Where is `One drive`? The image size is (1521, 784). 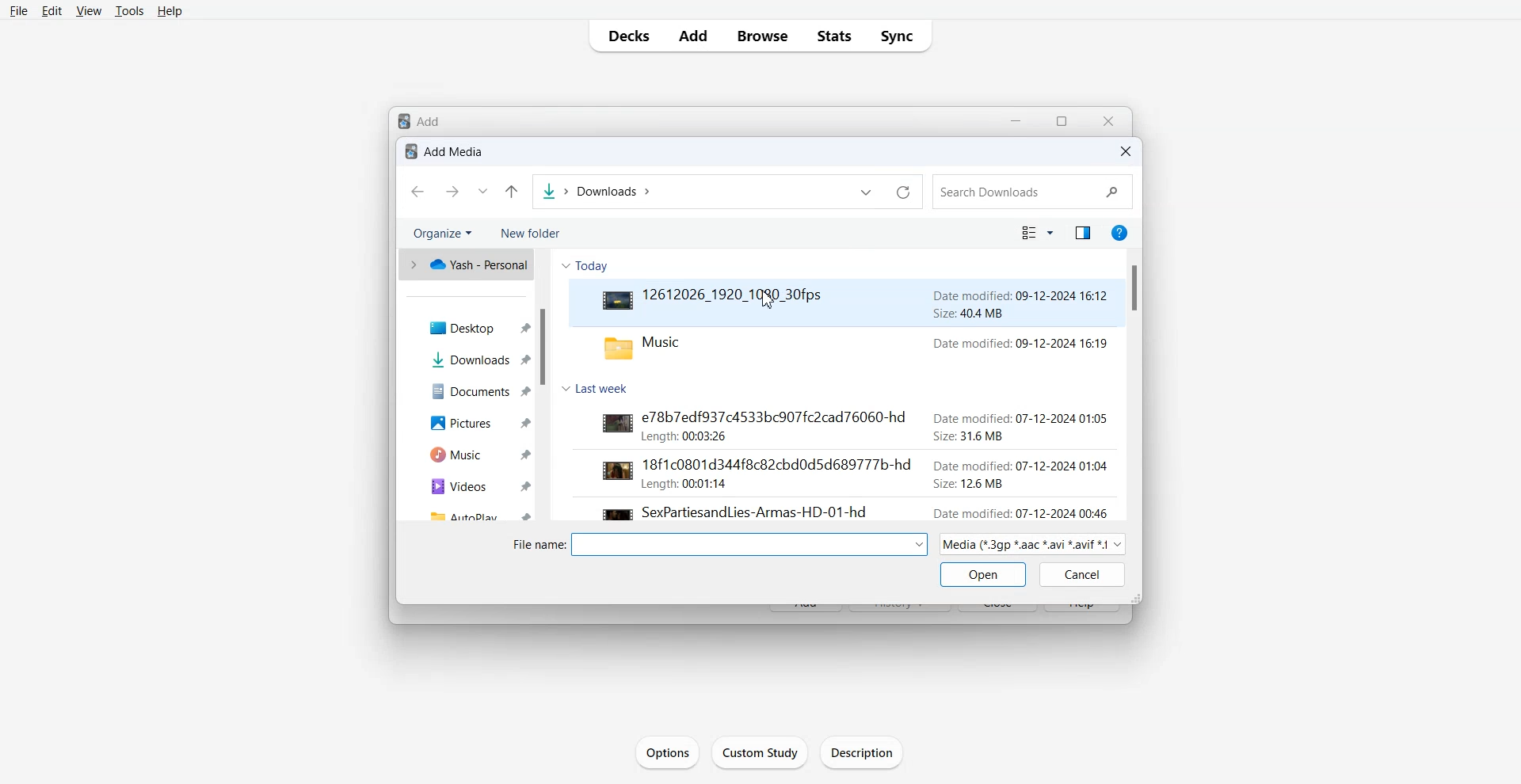 One drive is located at coordinates (464, 265).